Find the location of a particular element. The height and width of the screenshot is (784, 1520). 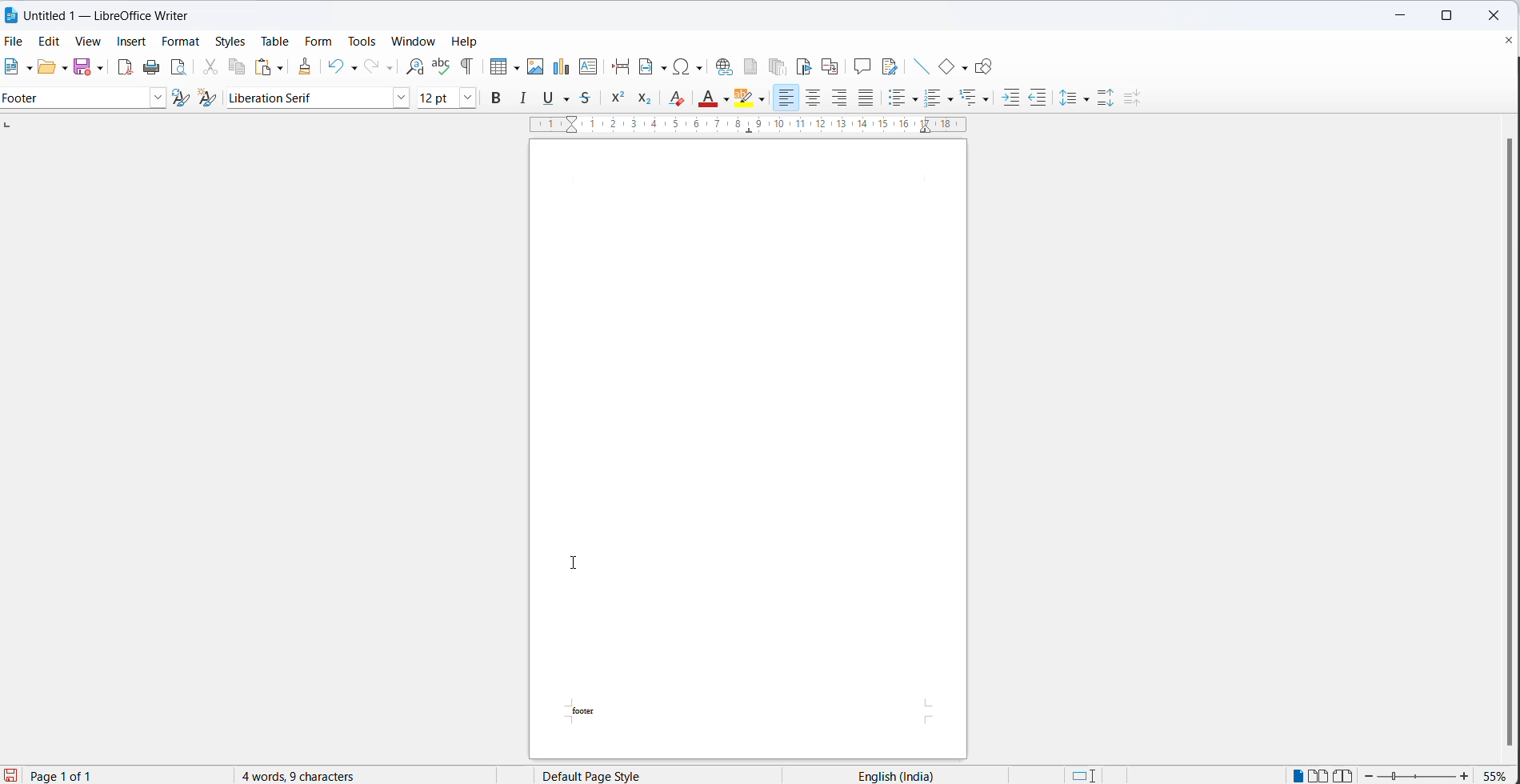

scaling is located at coordinates (736, 126).